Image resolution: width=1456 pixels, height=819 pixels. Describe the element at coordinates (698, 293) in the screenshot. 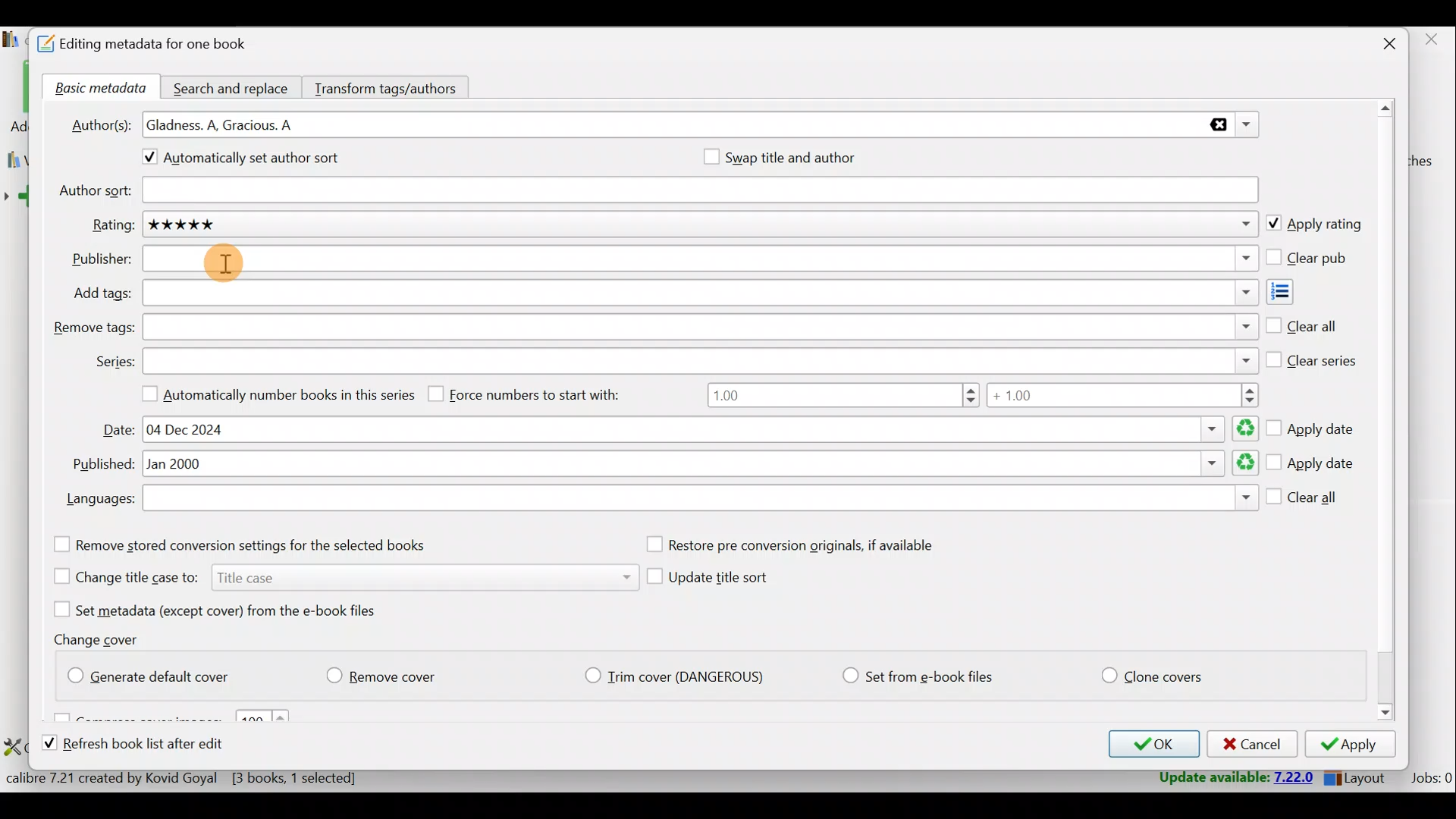

I see `Add tags` at that location.